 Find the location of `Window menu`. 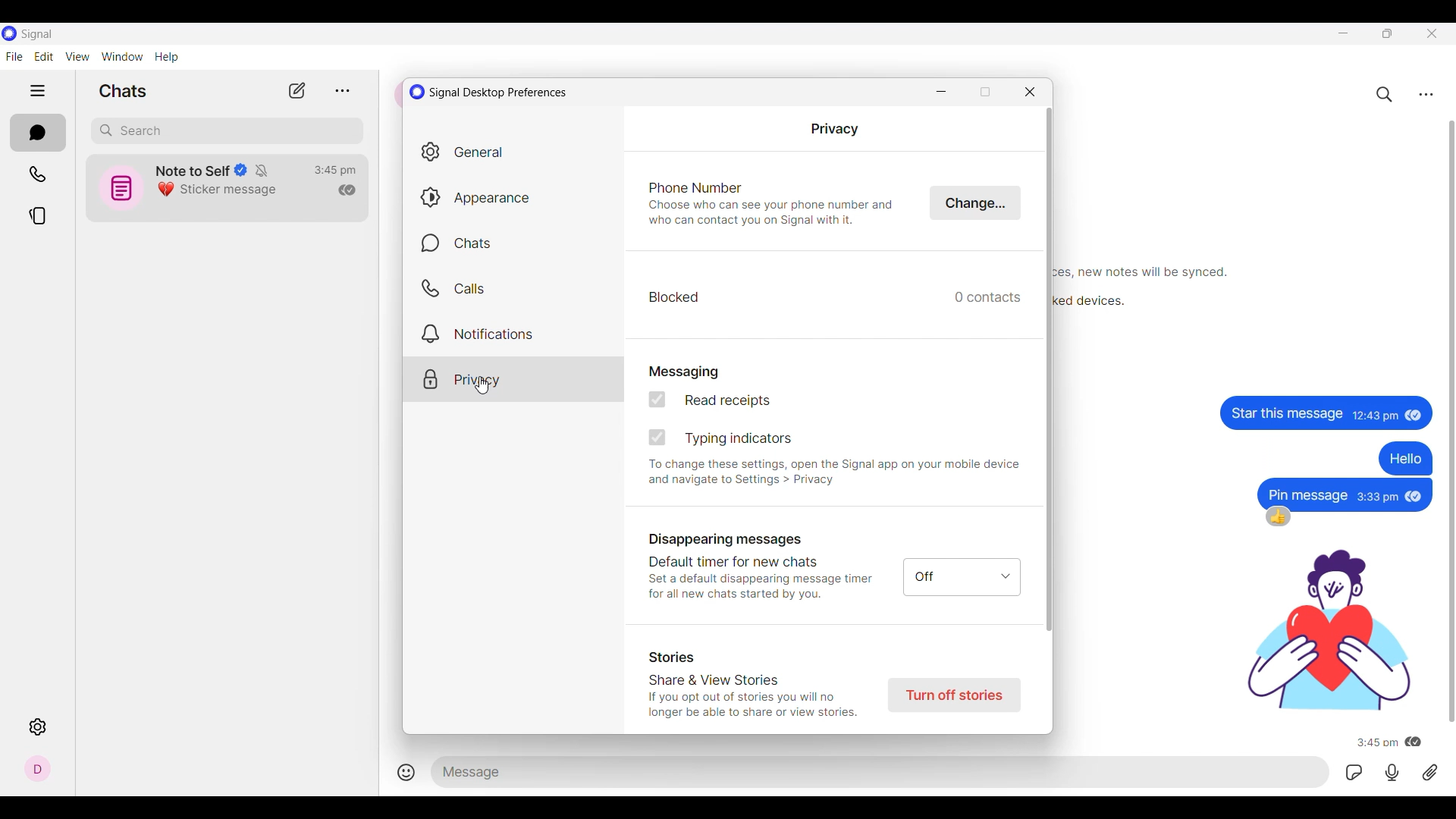

Window menu is located at coordinates (122, 57).